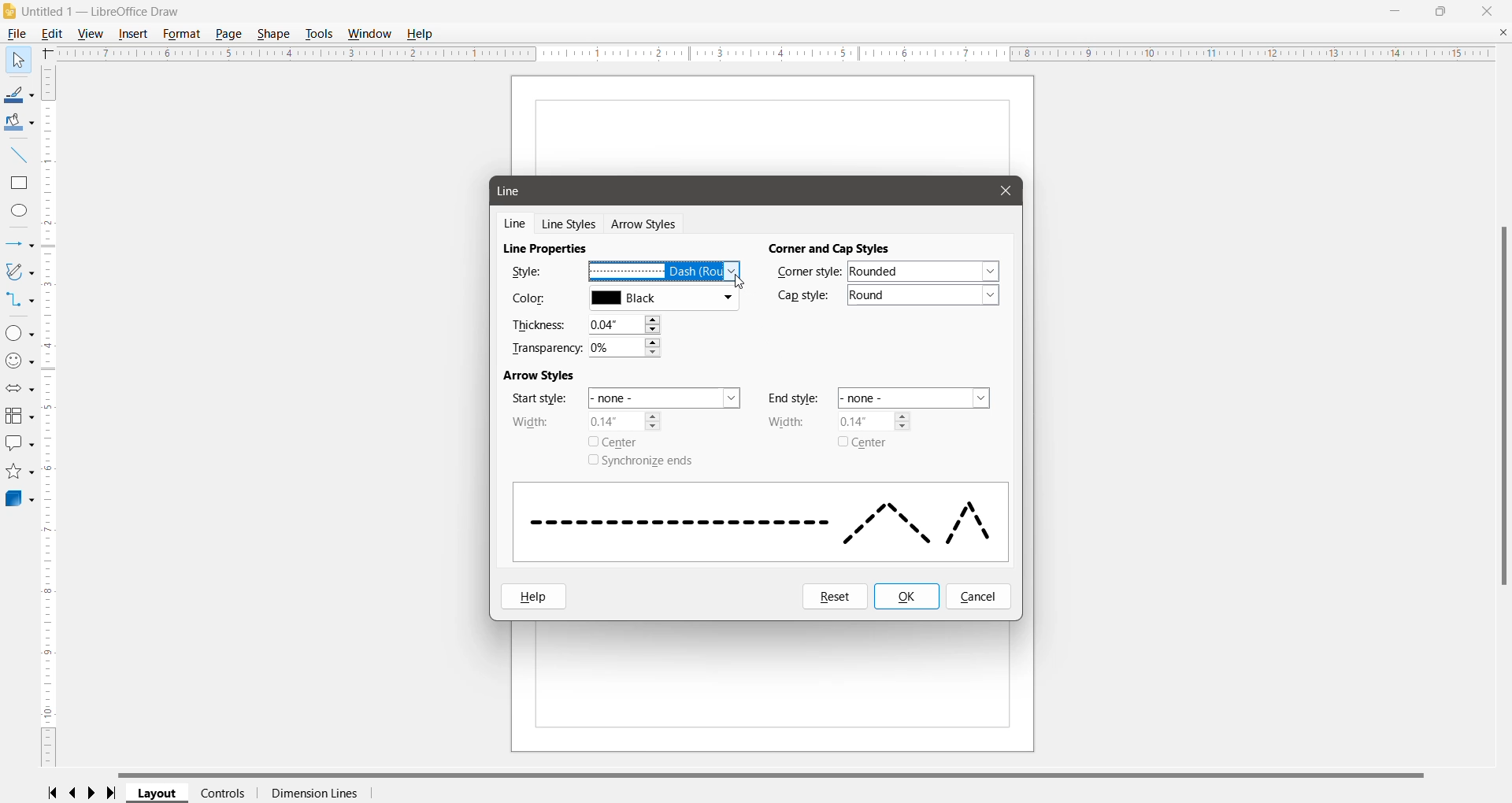 The height and width of the screenshot is (803, 1512). I want to click on Line Properties, so click(549, 248).